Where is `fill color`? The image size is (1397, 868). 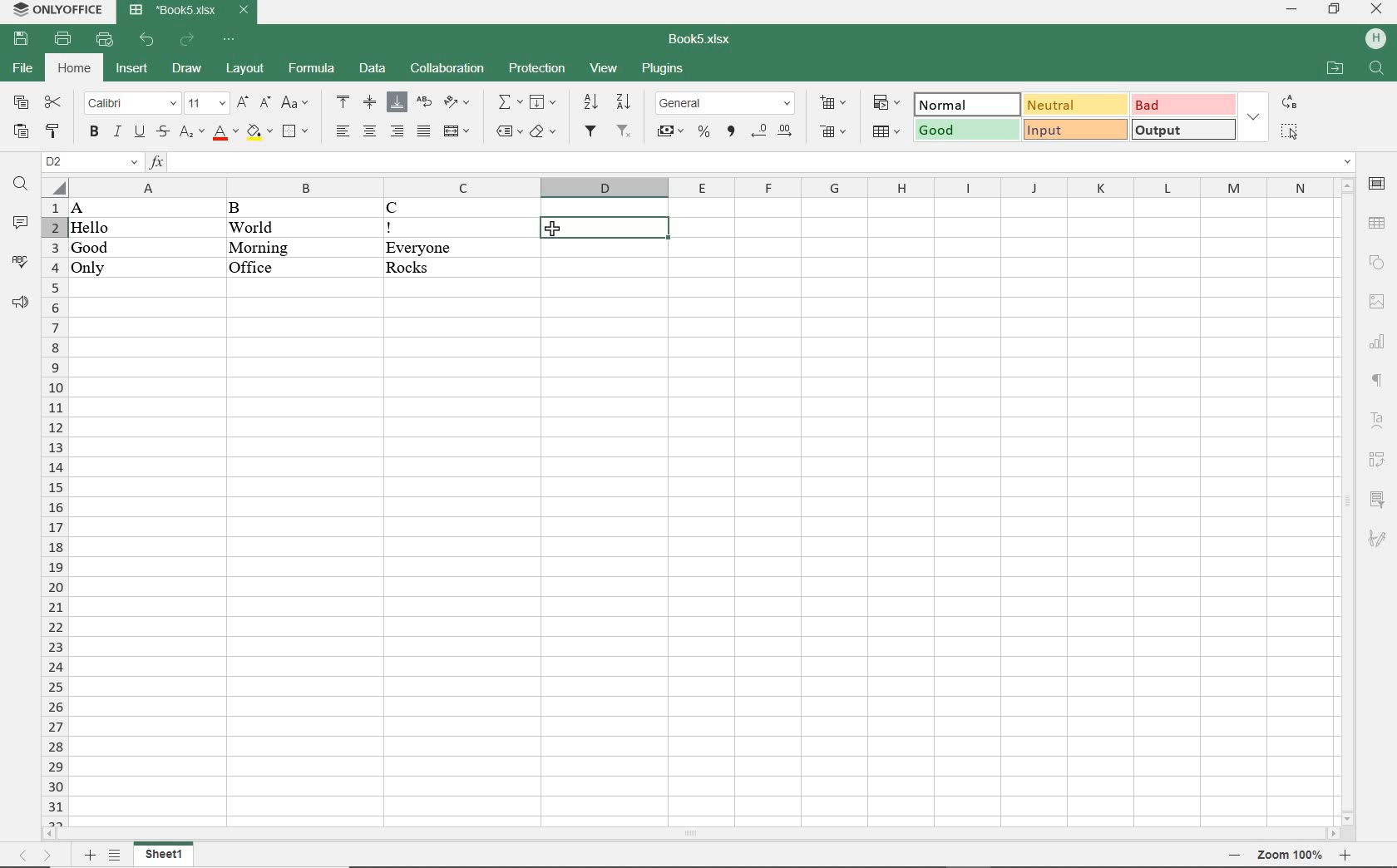
fill color is located at coordinates (260, 133).